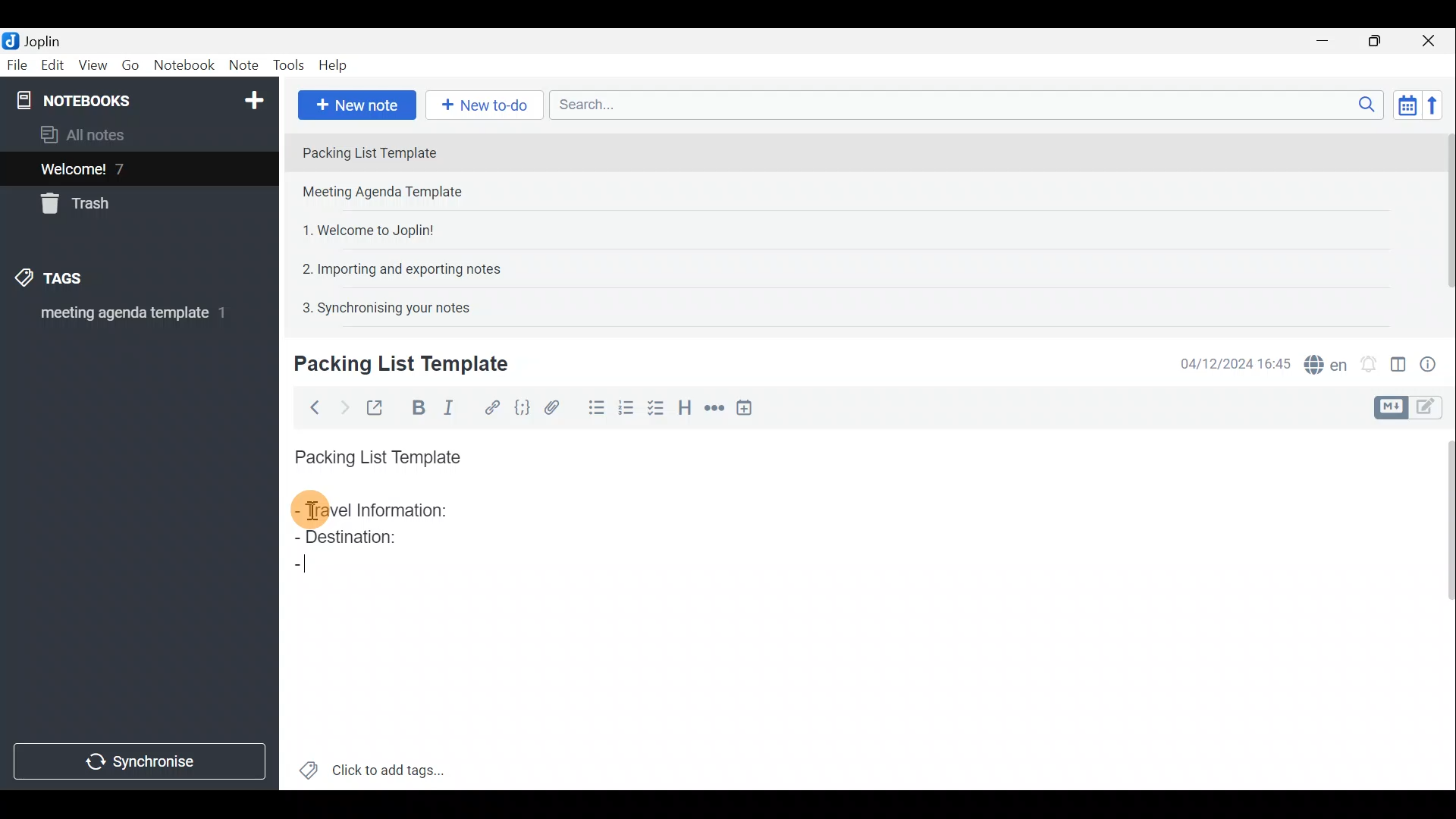 The width and height of the screenshot is (1456, 819). Describe the element at coordinates (962, 106) in the screenshot. I see `Search bar` at that location.